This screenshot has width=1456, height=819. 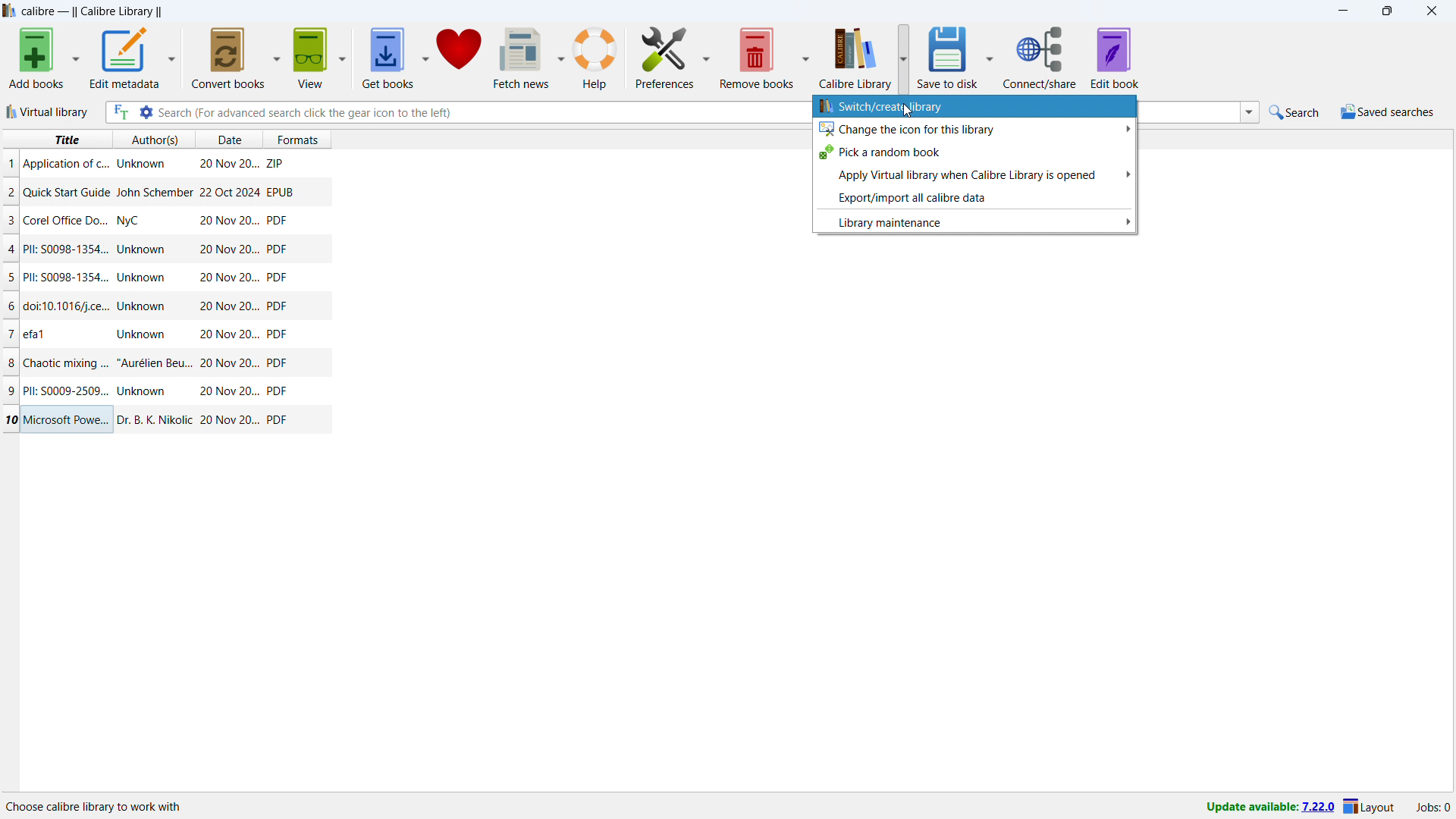 I want to click on Title, so click(x=36, y=332).